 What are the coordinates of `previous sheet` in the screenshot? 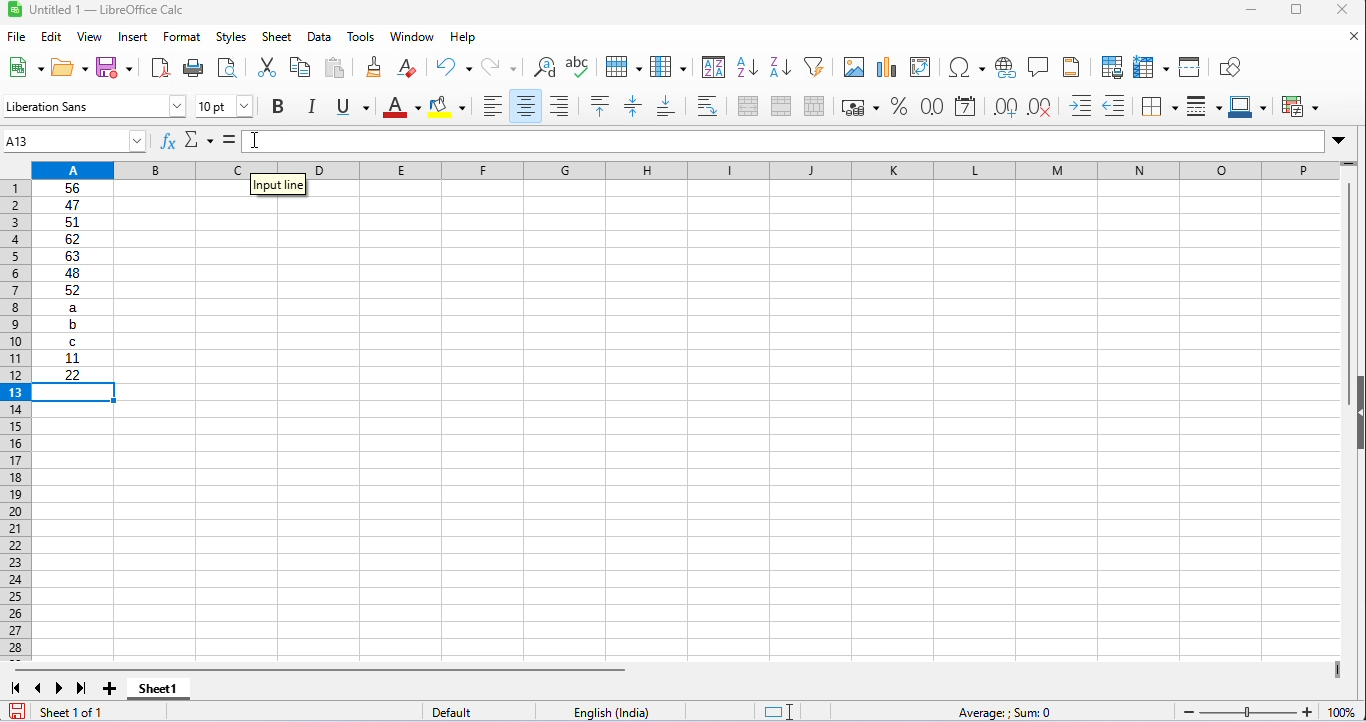 It's located at (41, 688).